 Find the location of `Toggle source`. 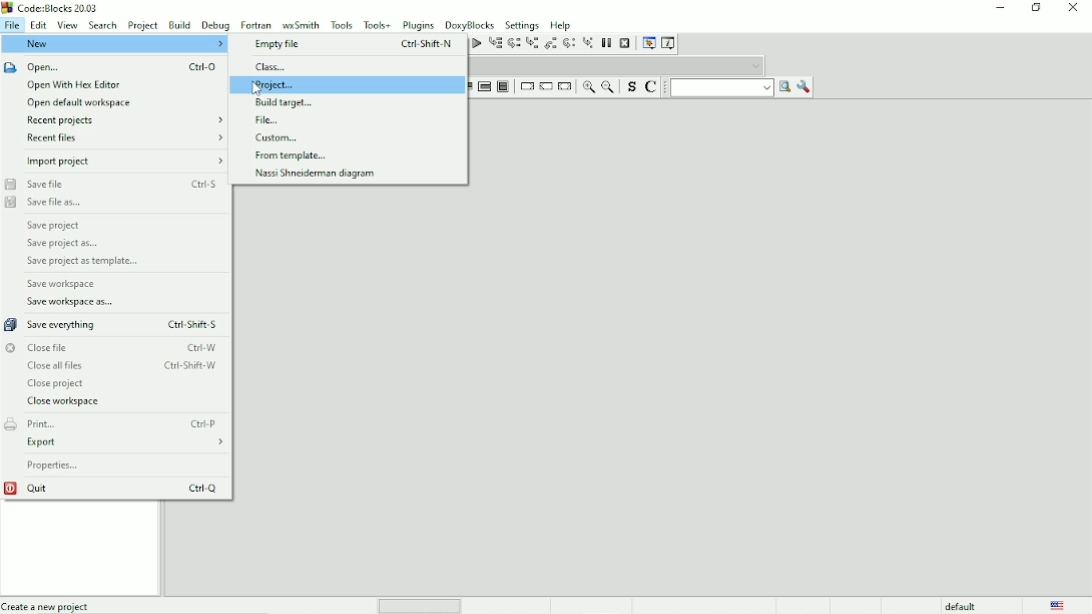

Toggle source is located at coordinates (629, 87).